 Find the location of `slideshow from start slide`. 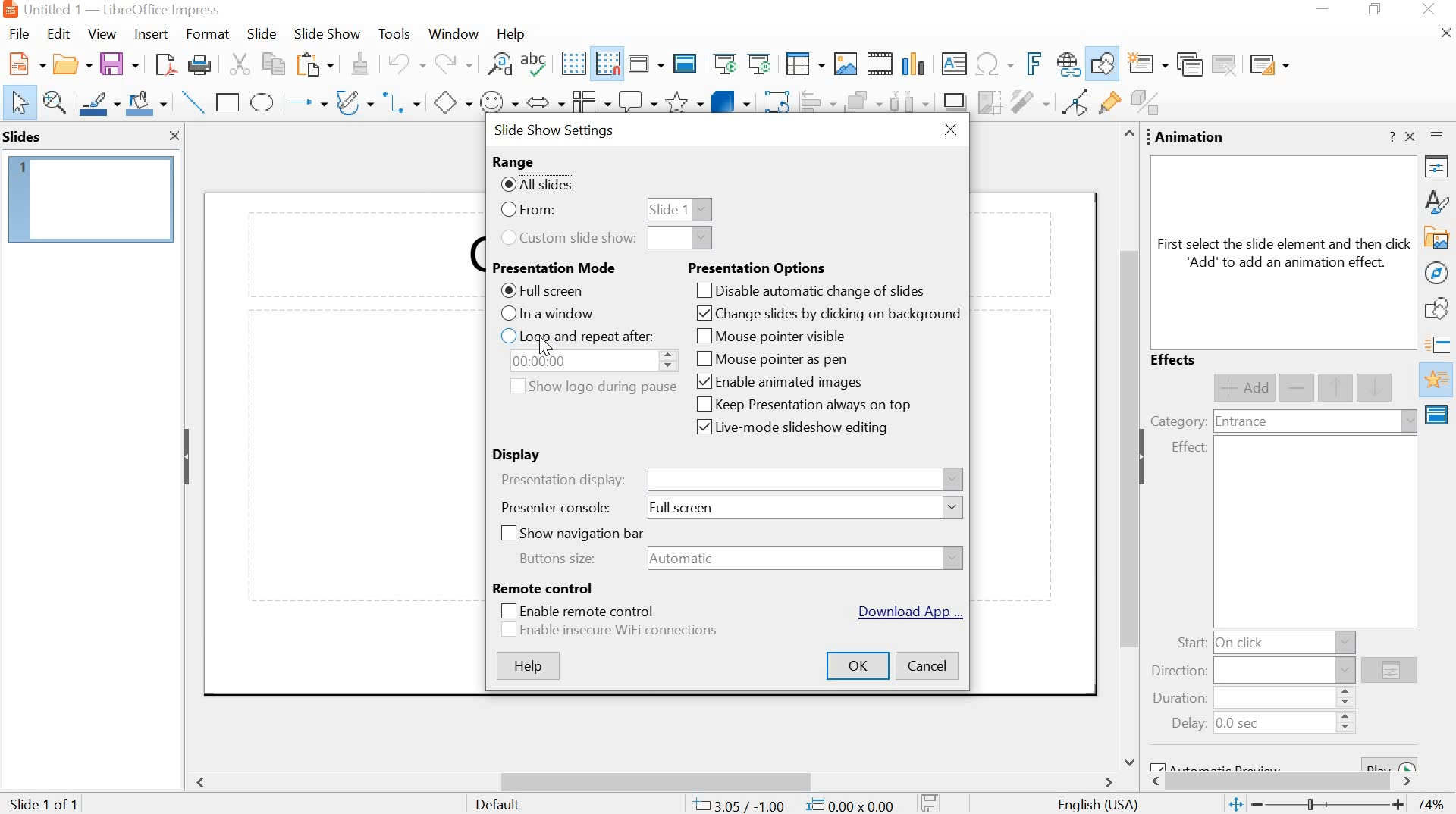

slideshow from start slide is located at coordinates (725, 65).